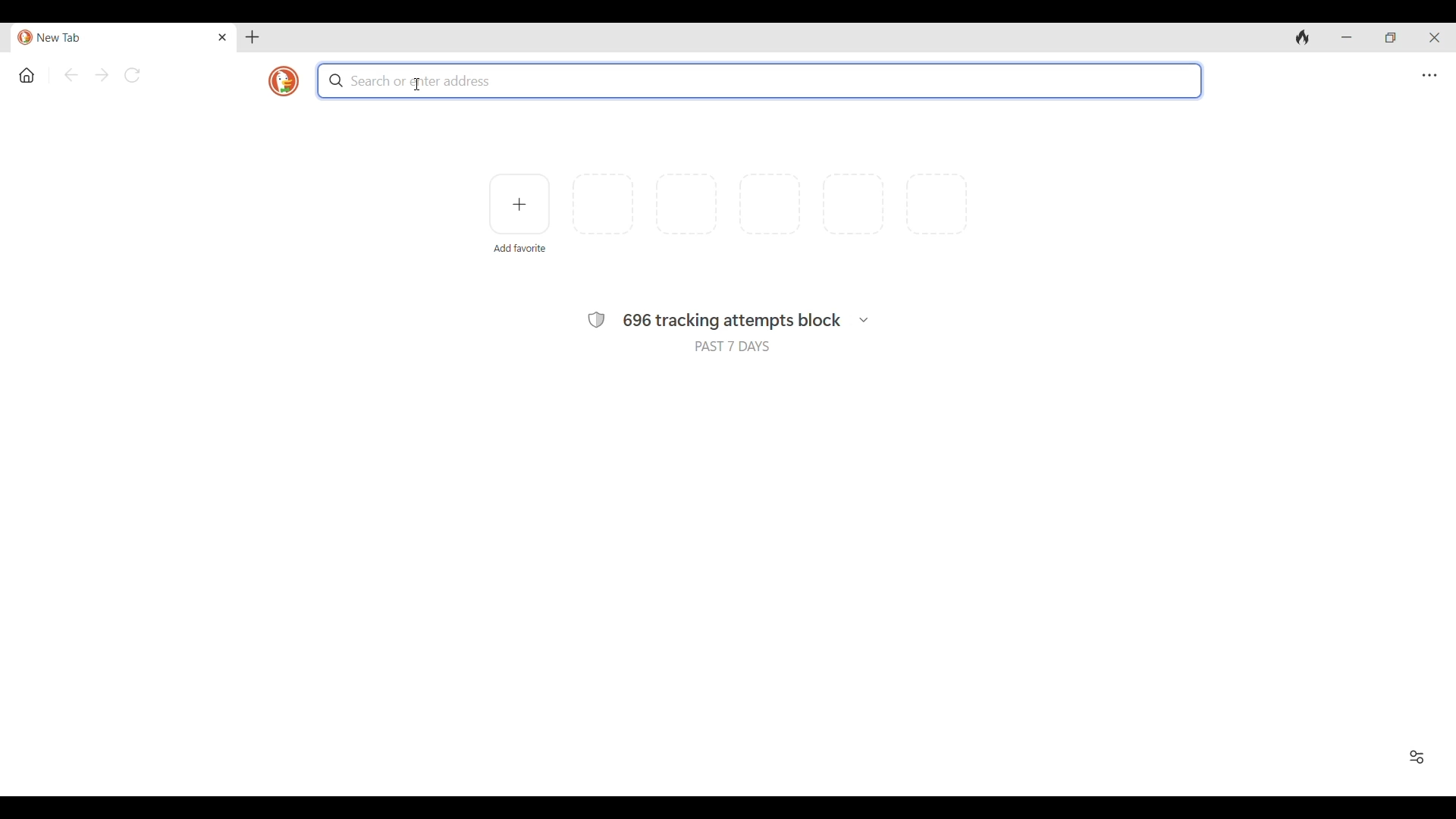 The image size is (1456, 819). Describe the element at coordinates (1303, 38) in the screenshot. I see `Clear browsing history ` at that location.